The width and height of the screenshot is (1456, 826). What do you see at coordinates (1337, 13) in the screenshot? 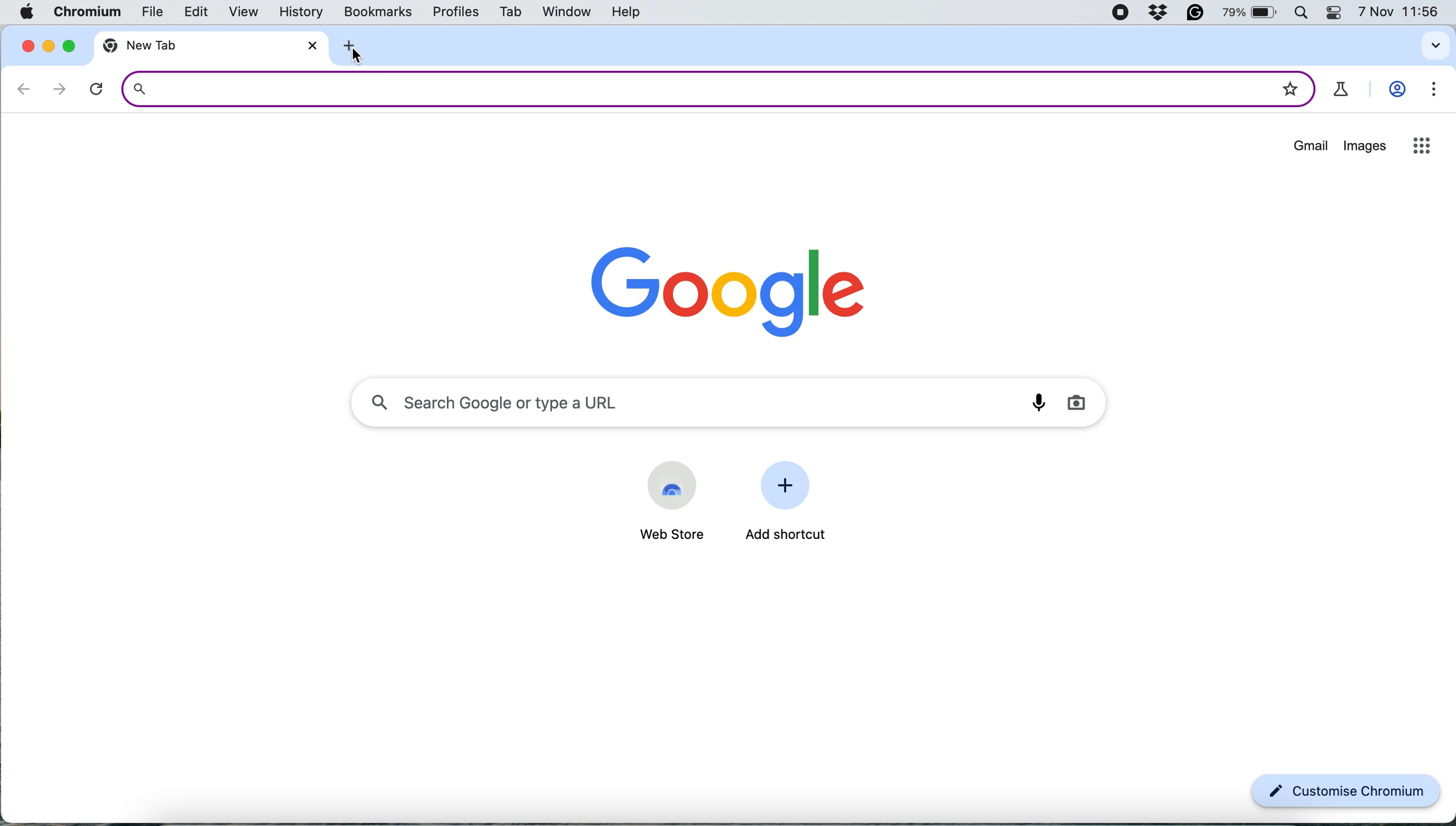
I see `control center` at bounding box center [1337, 13].